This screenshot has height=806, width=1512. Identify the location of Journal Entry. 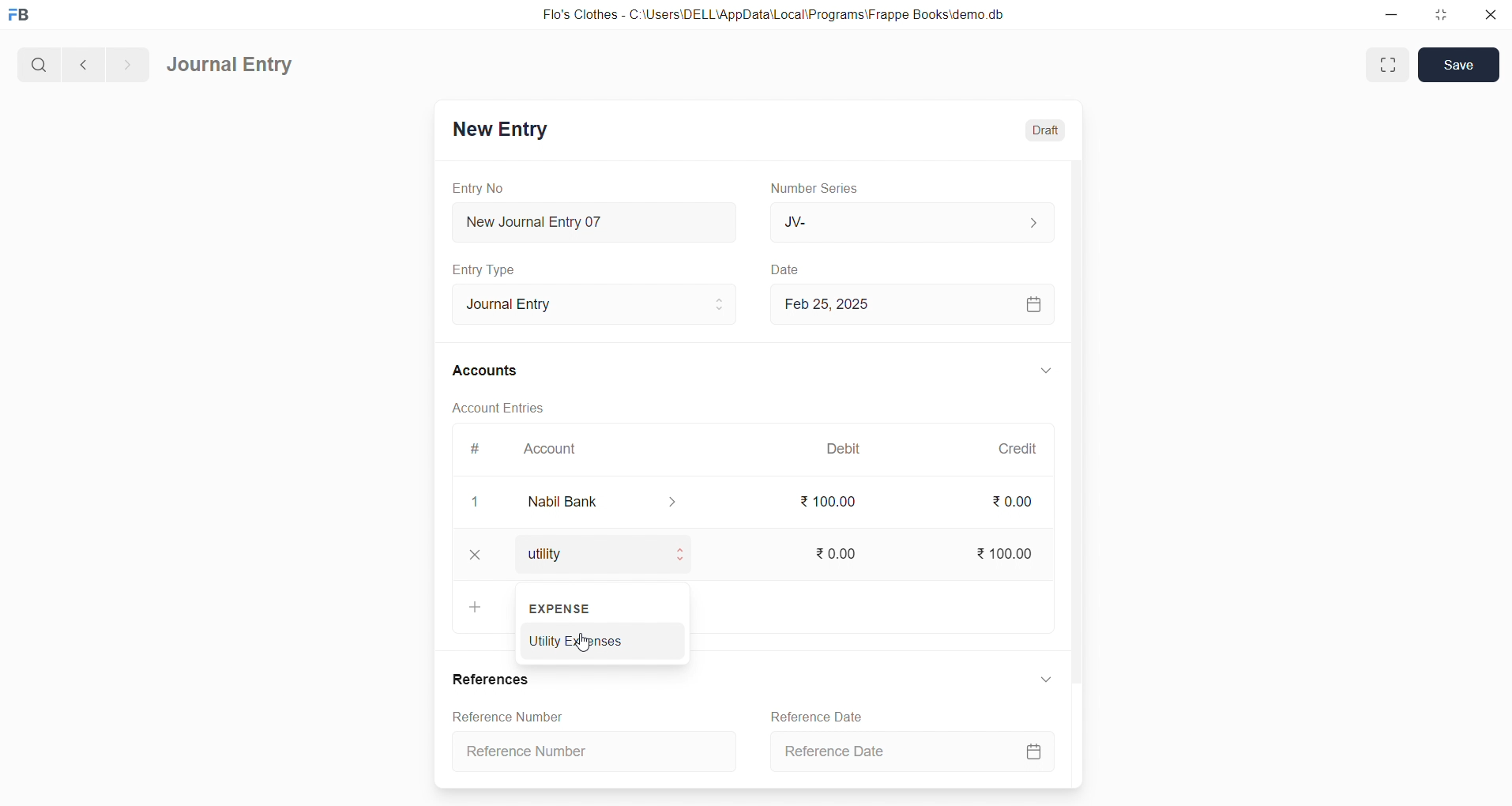
(582, 302).